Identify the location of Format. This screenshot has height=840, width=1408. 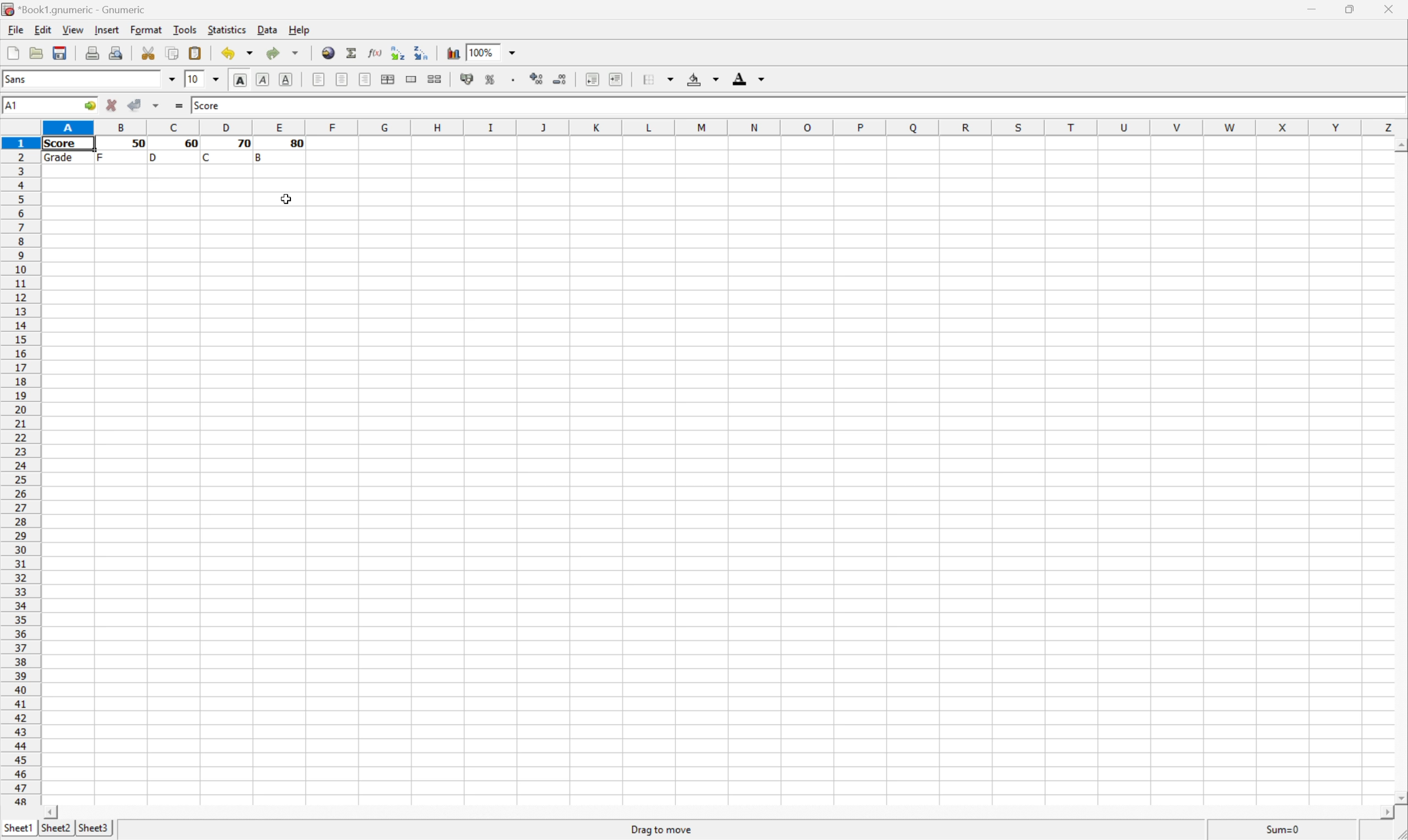
(146, 28).